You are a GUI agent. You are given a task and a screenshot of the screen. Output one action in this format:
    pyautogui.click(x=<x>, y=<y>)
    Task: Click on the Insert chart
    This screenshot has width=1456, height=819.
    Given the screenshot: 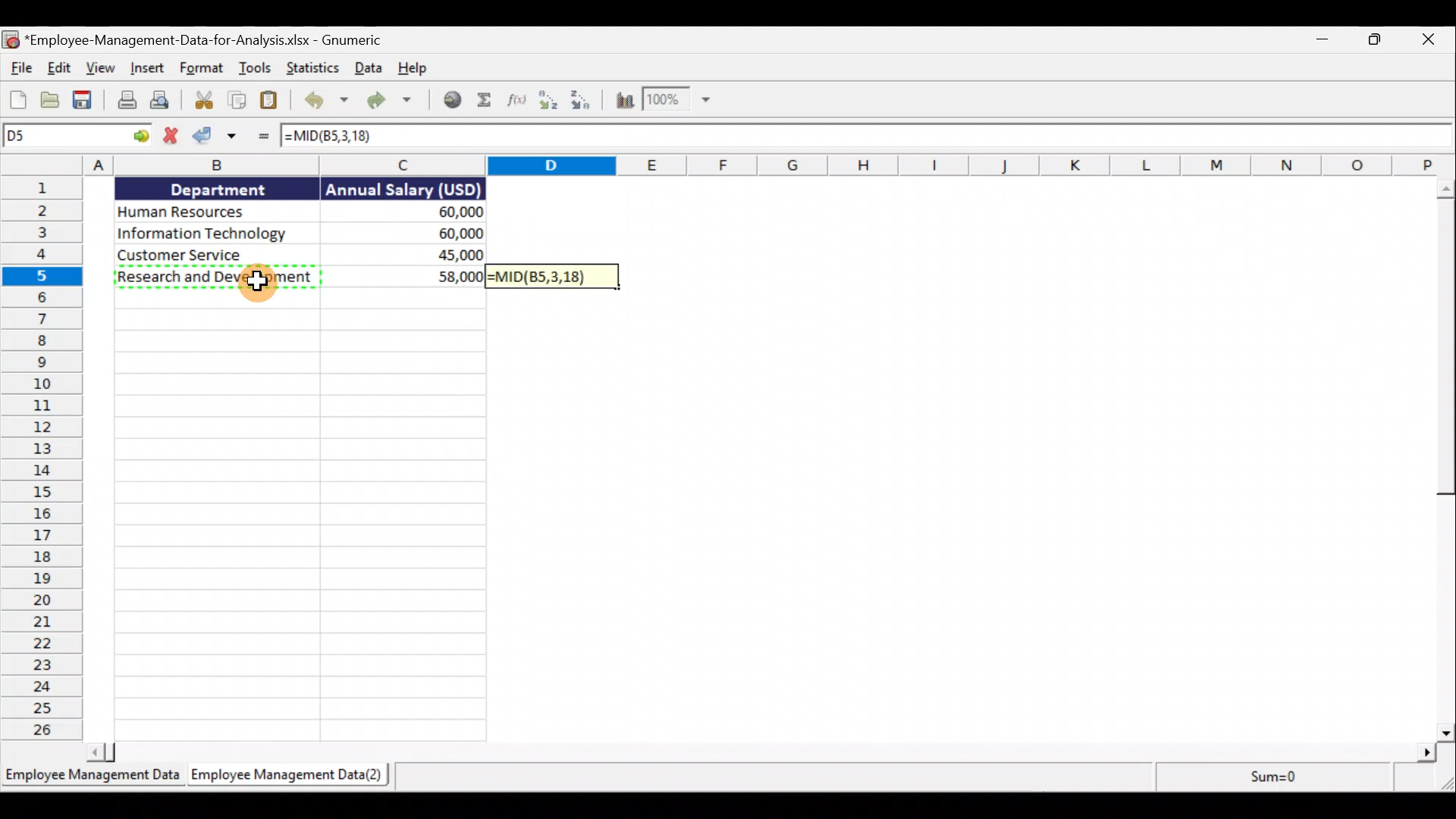 What is the action you would take?
    pyautogui.click(x=626, y=102)
    